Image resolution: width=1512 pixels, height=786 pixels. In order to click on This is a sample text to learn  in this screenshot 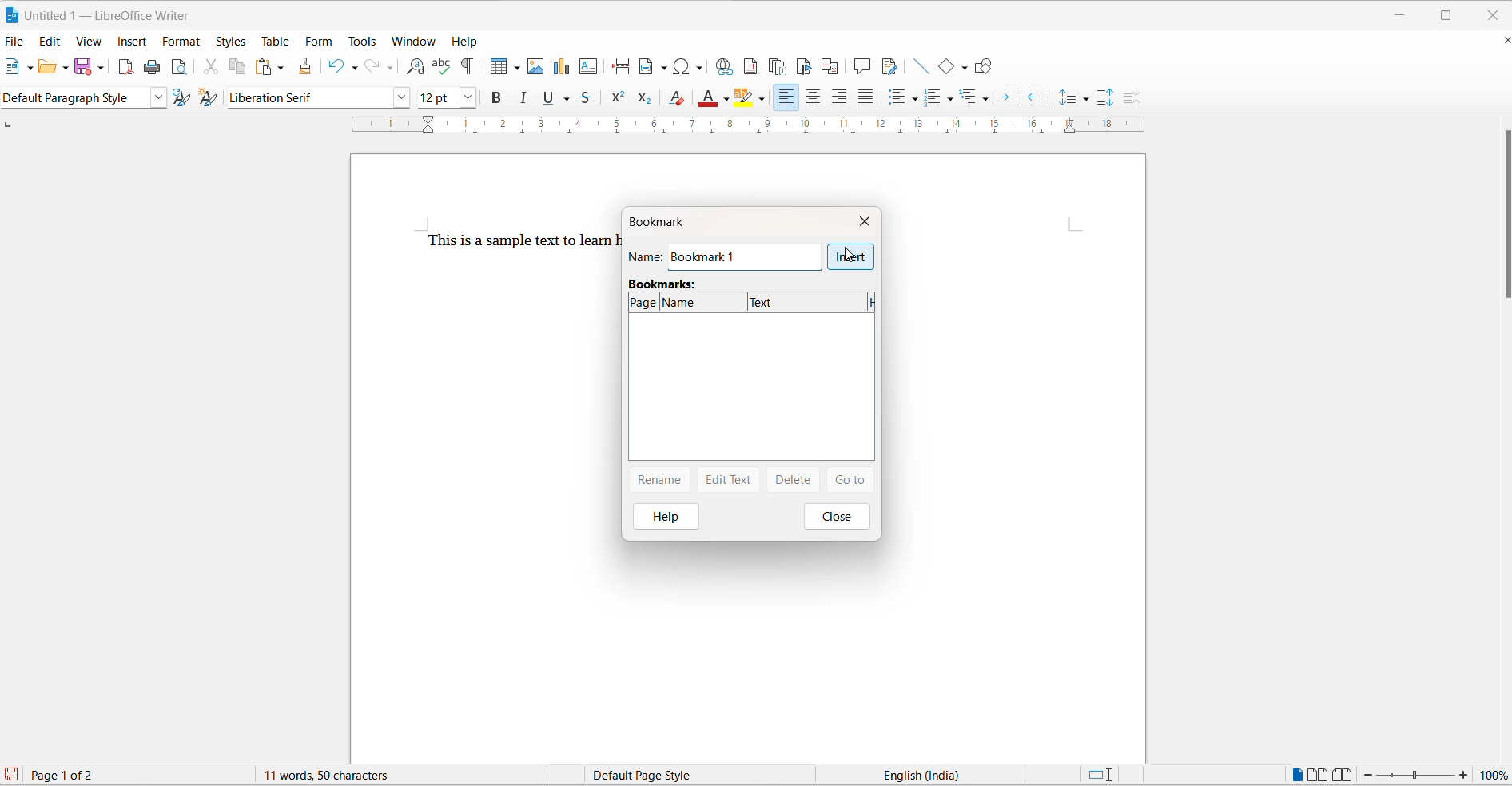, I will do `click(508, 241)`.